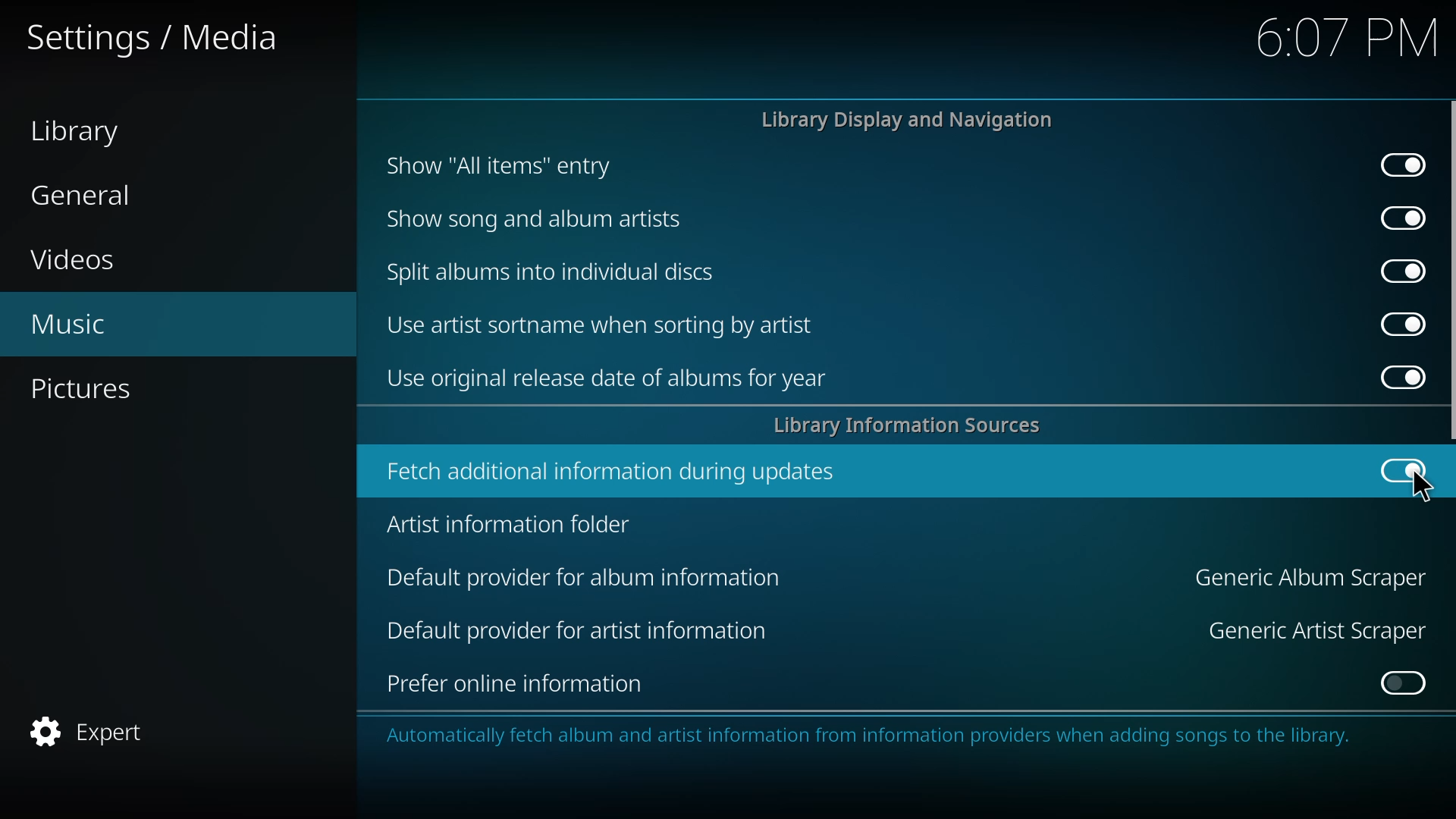 Image resolution: width=1456 pixels, height=819 pixels. I want to click on general, so click(96, 197).